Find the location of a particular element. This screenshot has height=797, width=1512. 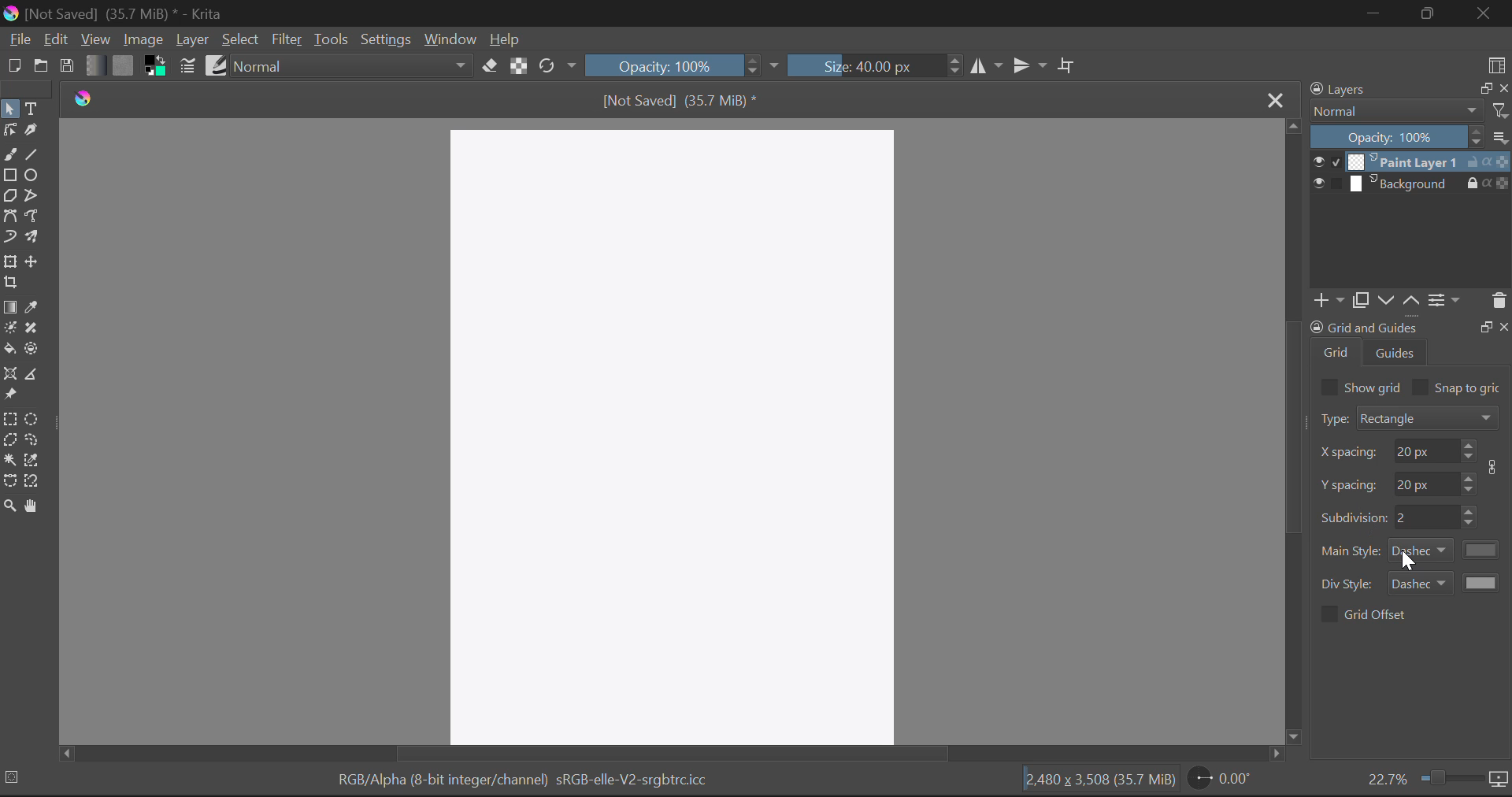

Dynamic Brush Tool is located at coordinates (9, 241).